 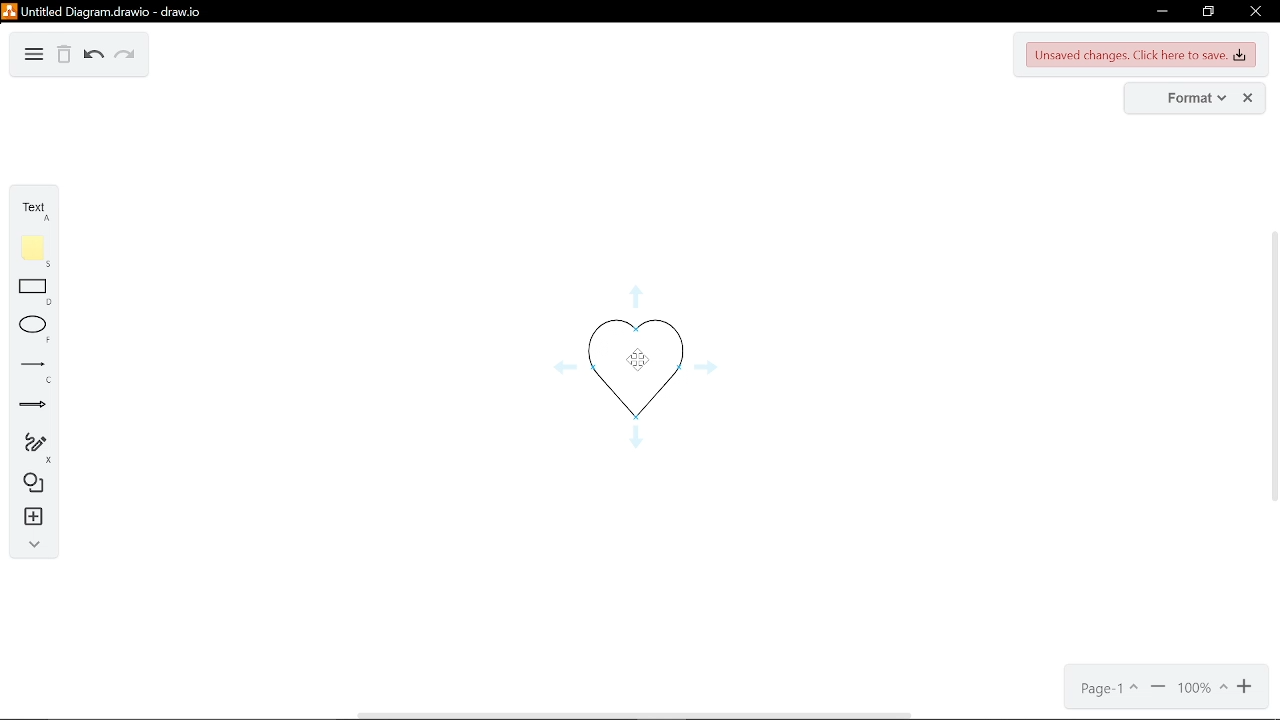 What do you see at coordinates (105, 11) in the screenshot?
I see `Untitled Diagram.drawio - draw.io` at bounding box center [105, 11].